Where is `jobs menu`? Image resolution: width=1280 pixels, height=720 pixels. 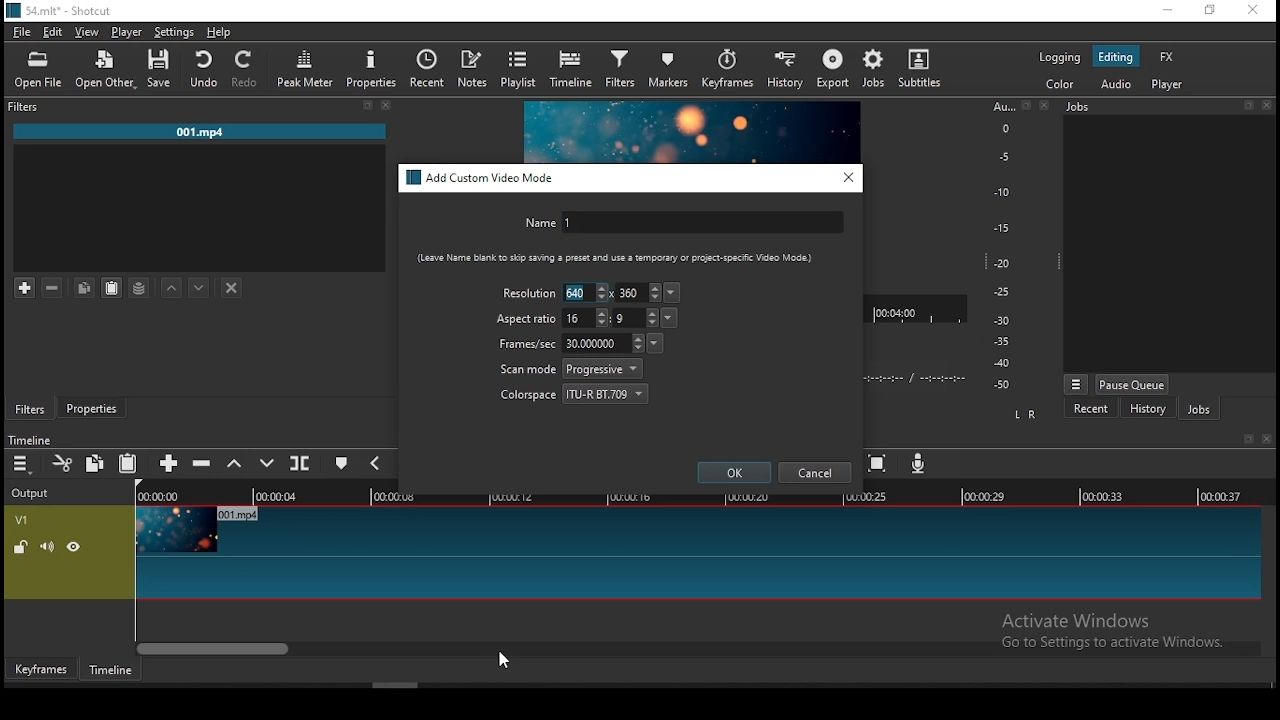
jobs menu is located at coordinates (1077, 386).